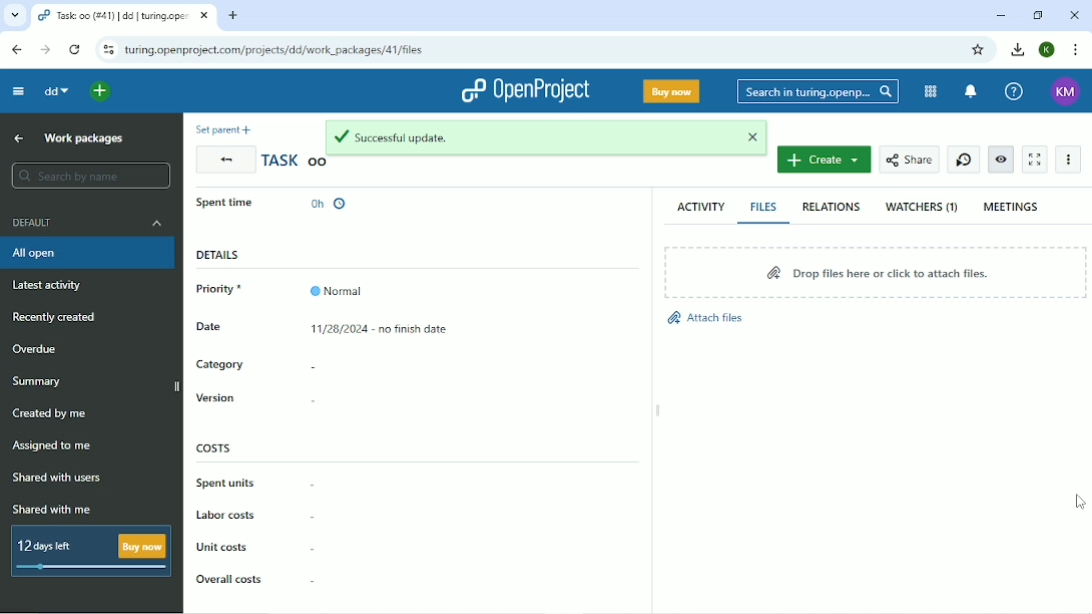  What do you see at coordinates (834, 208) in the screenshot?
I see `Relations` at bounding box center [834, 208].